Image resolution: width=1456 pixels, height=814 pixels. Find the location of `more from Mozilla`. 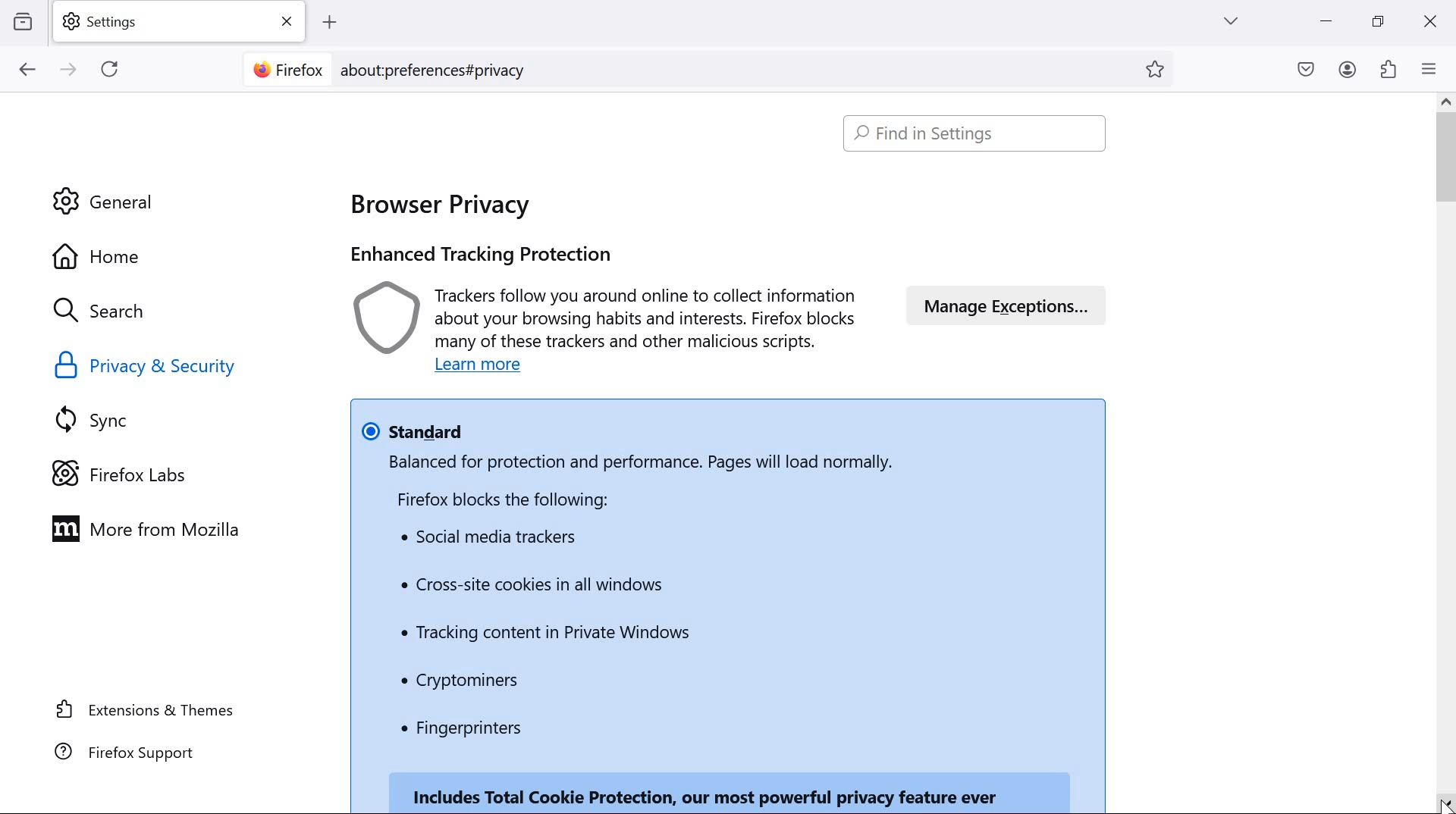

more from Mozilla is located at coordinates (154, 528).